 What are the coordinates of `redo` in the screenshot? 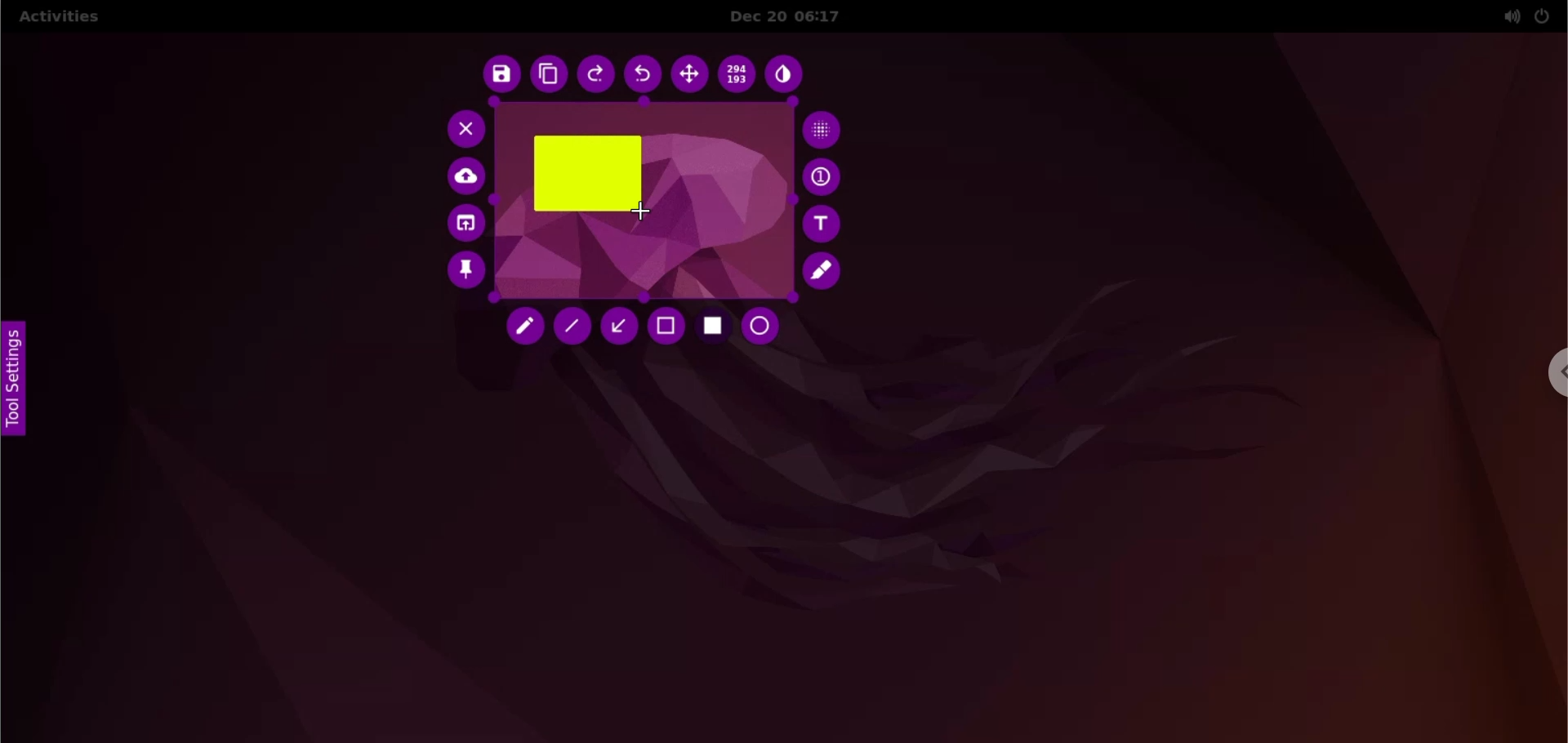 It's located at (597, 76).